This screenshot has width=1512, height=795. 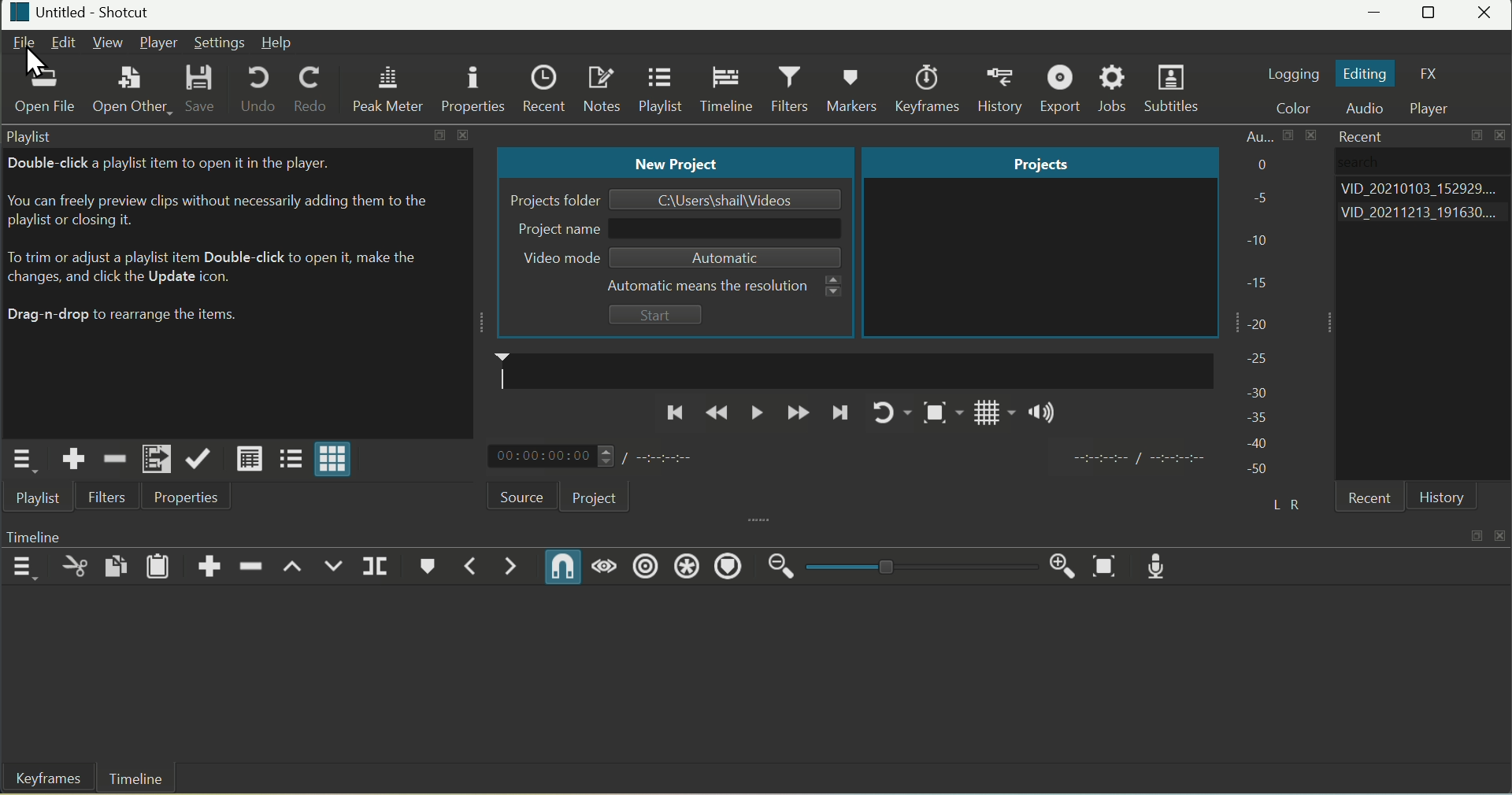 What do you see at coordinates (798, 414) in the screenshot?
I see `Forward` at bounding box center [798, 414].